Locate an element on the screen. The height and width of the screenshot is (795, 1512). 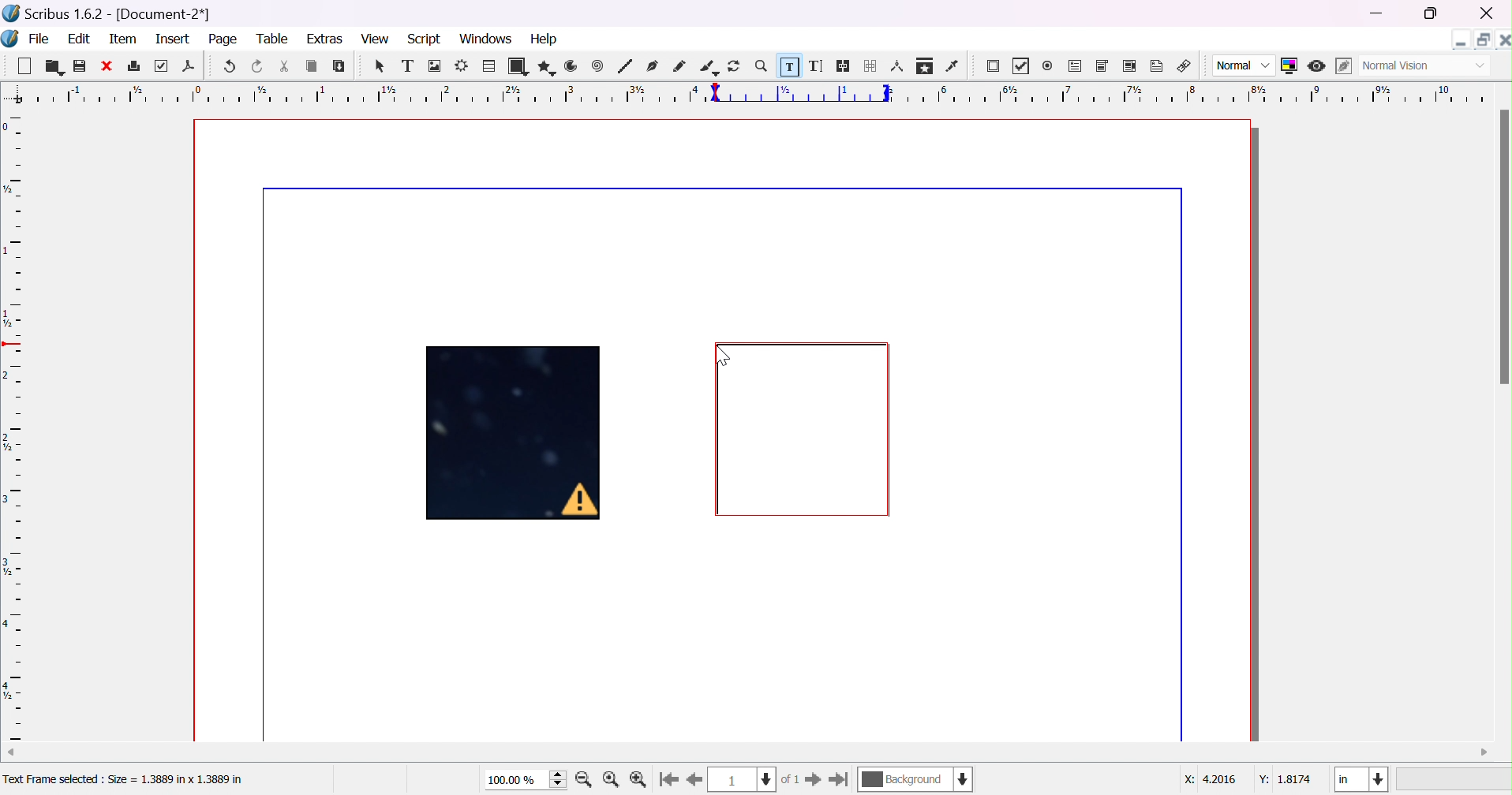
help is located at coordinates (546, 38).